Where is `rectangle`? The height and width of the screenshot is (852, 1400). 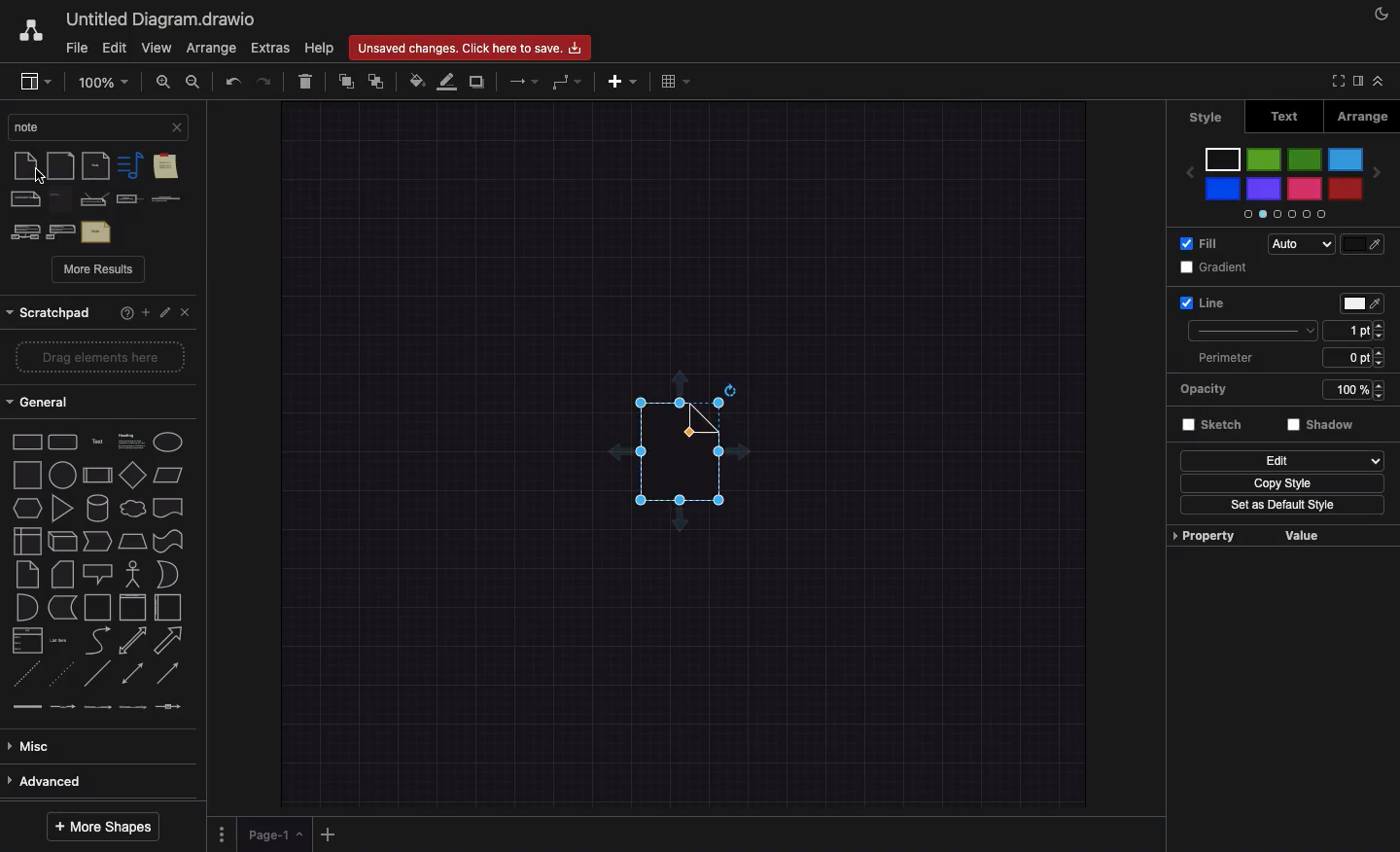 rectangle is located at coordinates (25, 444).